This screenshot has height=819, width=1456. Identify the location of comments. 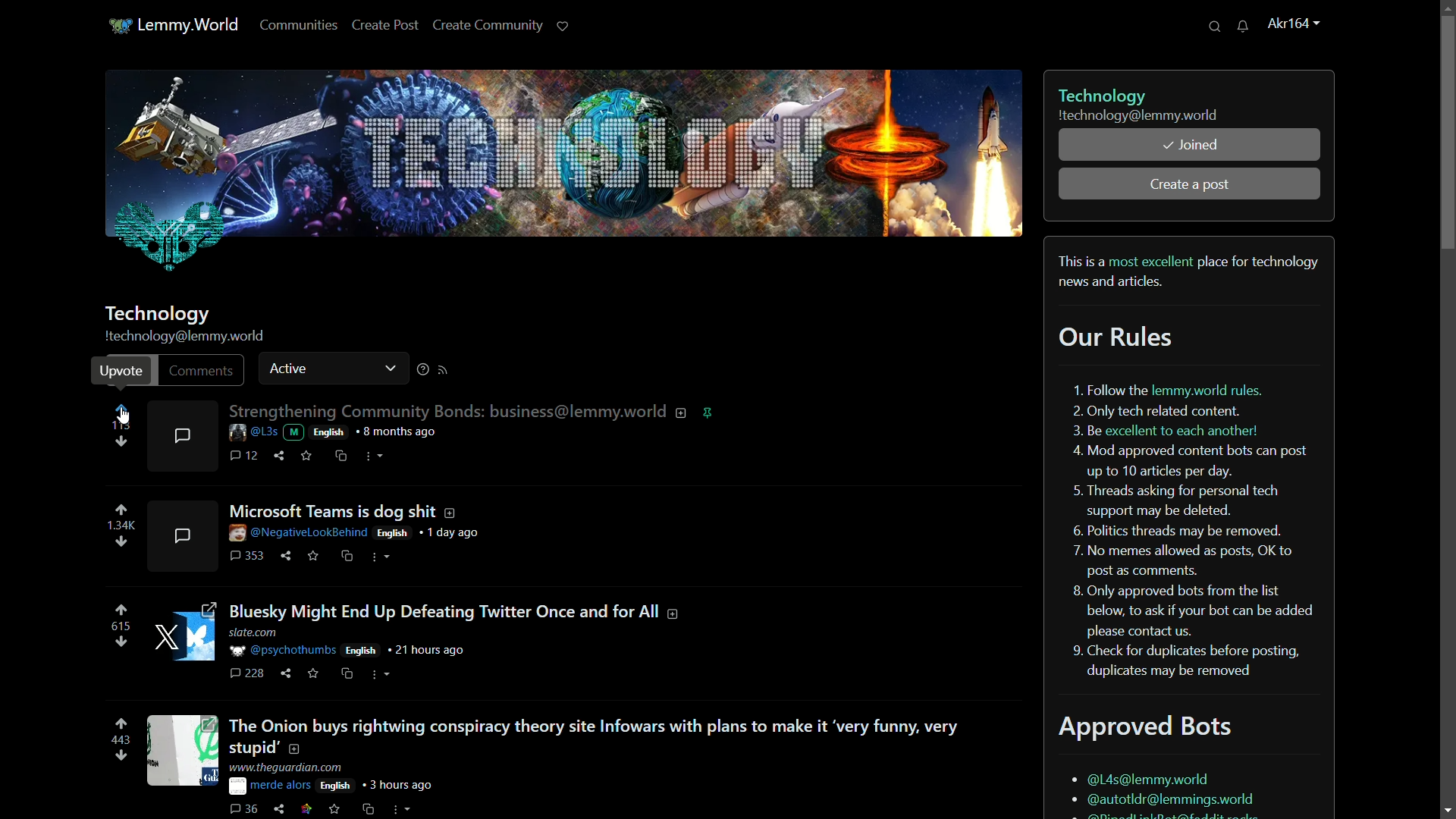
(181, 436).